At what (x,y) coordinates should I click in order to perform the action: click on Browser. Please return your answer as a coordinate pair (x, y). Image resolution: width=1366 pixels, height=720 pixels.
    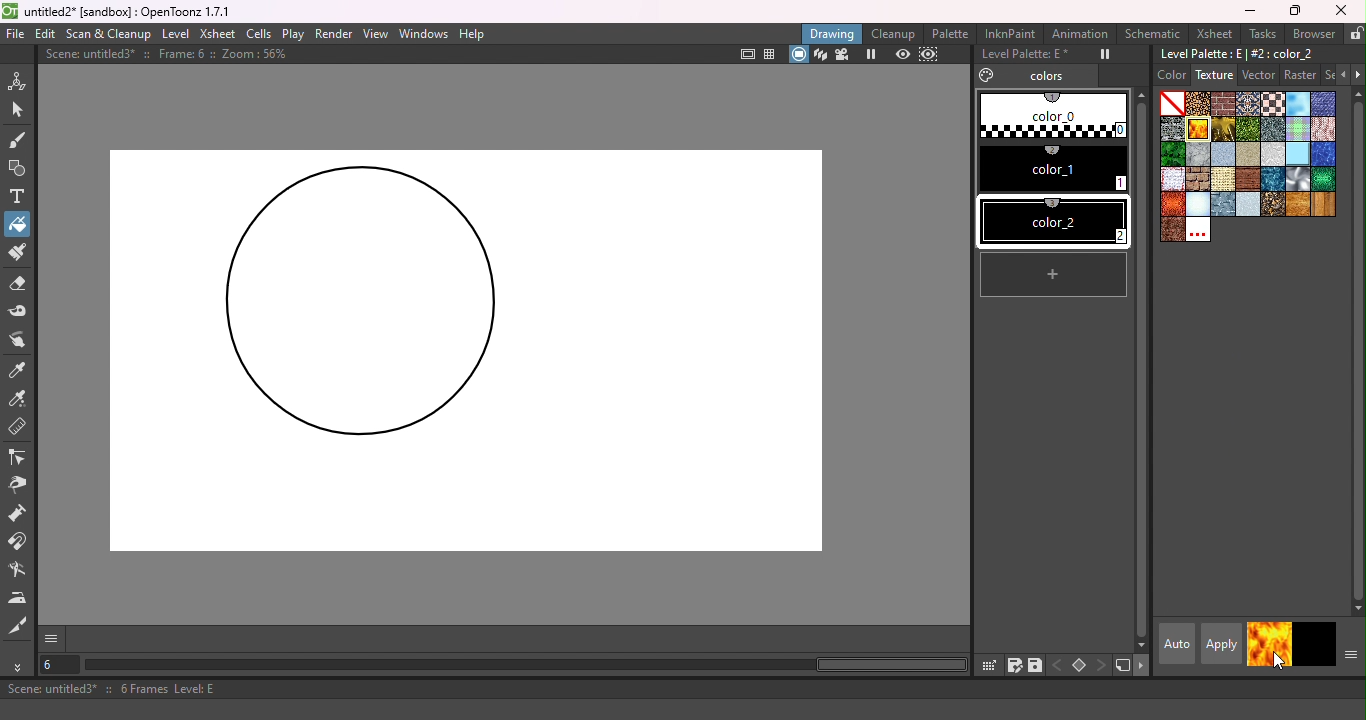
    Looking at the image, I should click on (1312, 35).